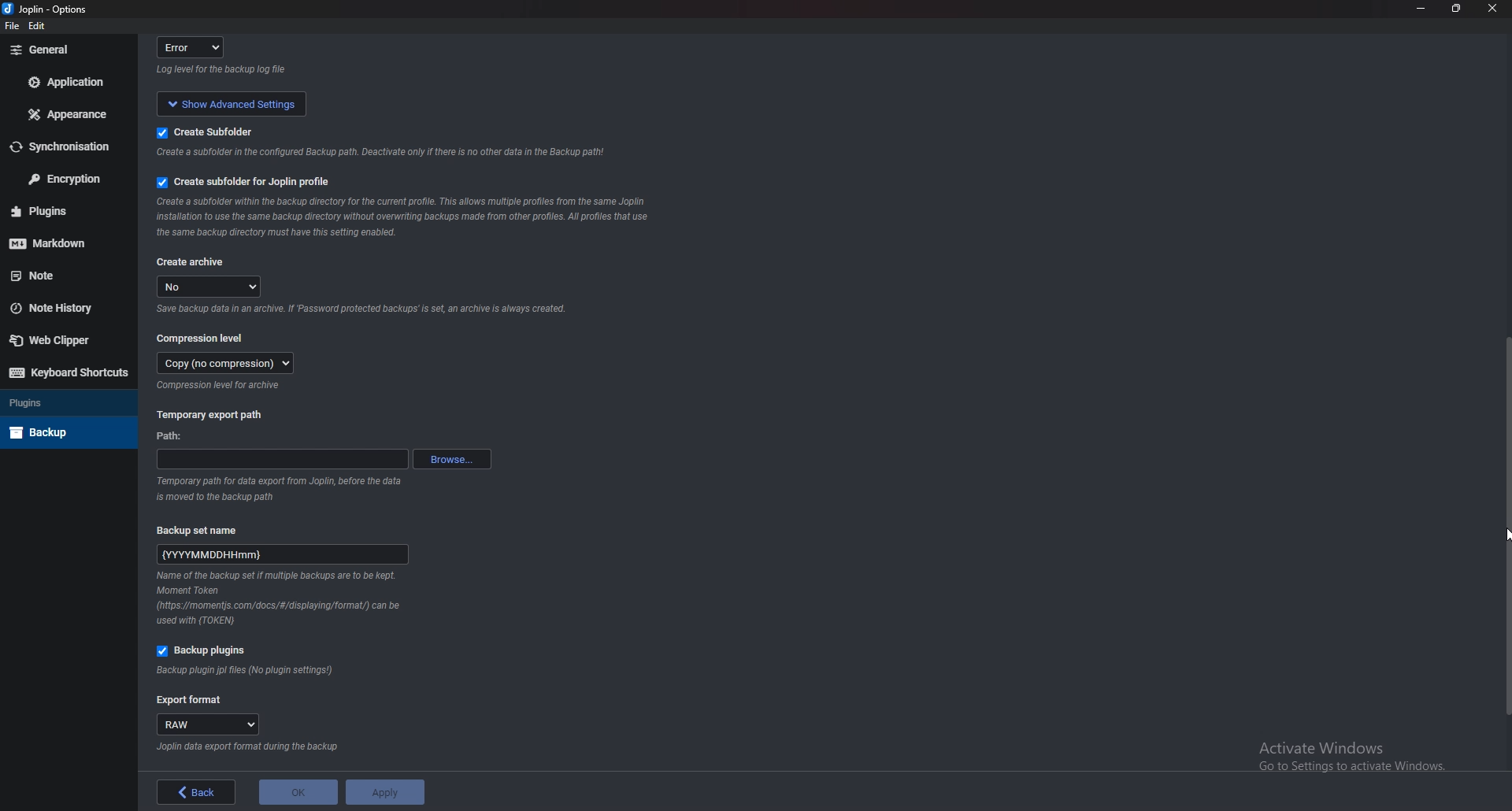  I want to click on Synchronization, so click(62, 147).